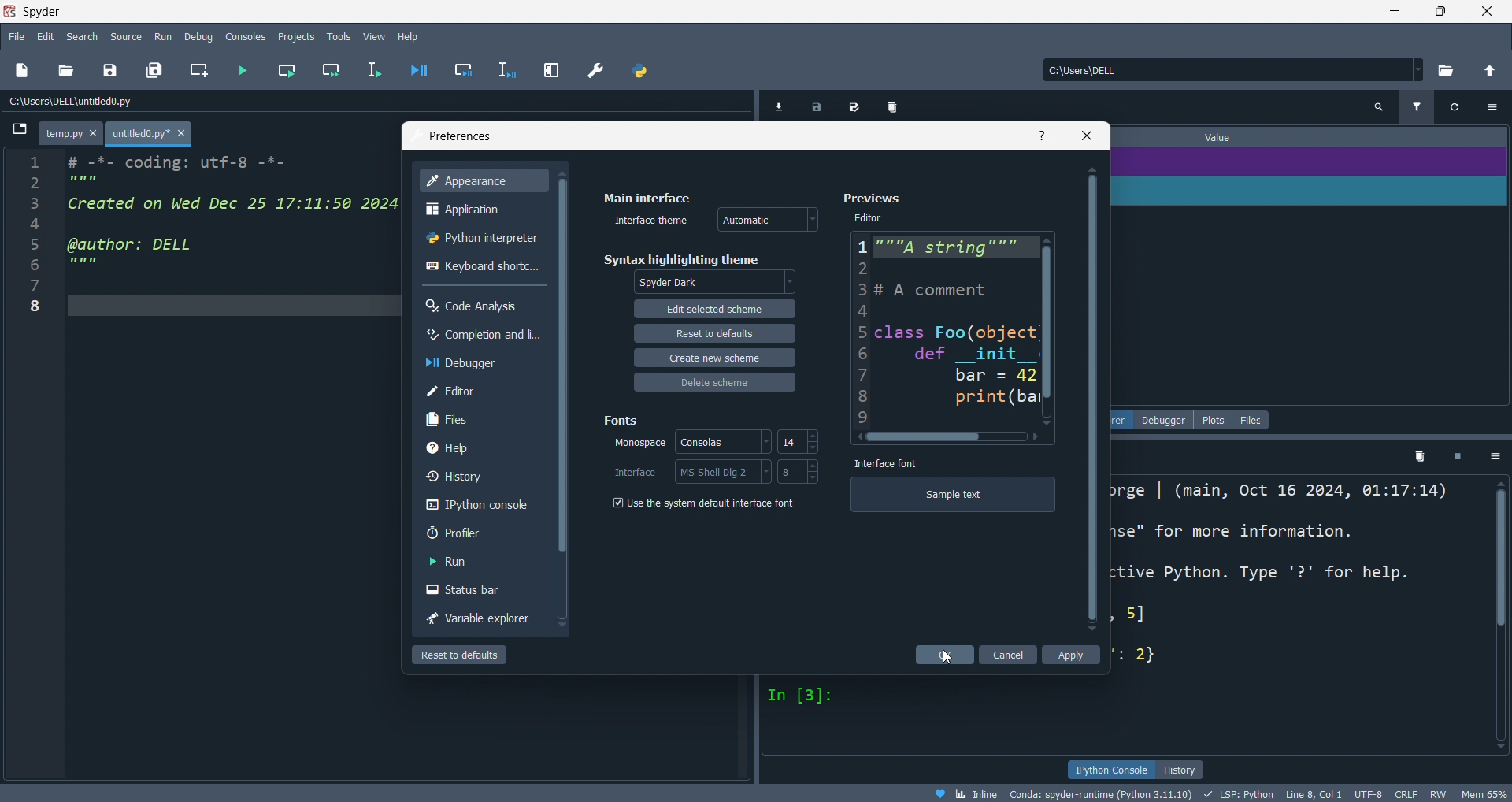  I want to click on run lin, so click(376, 70).